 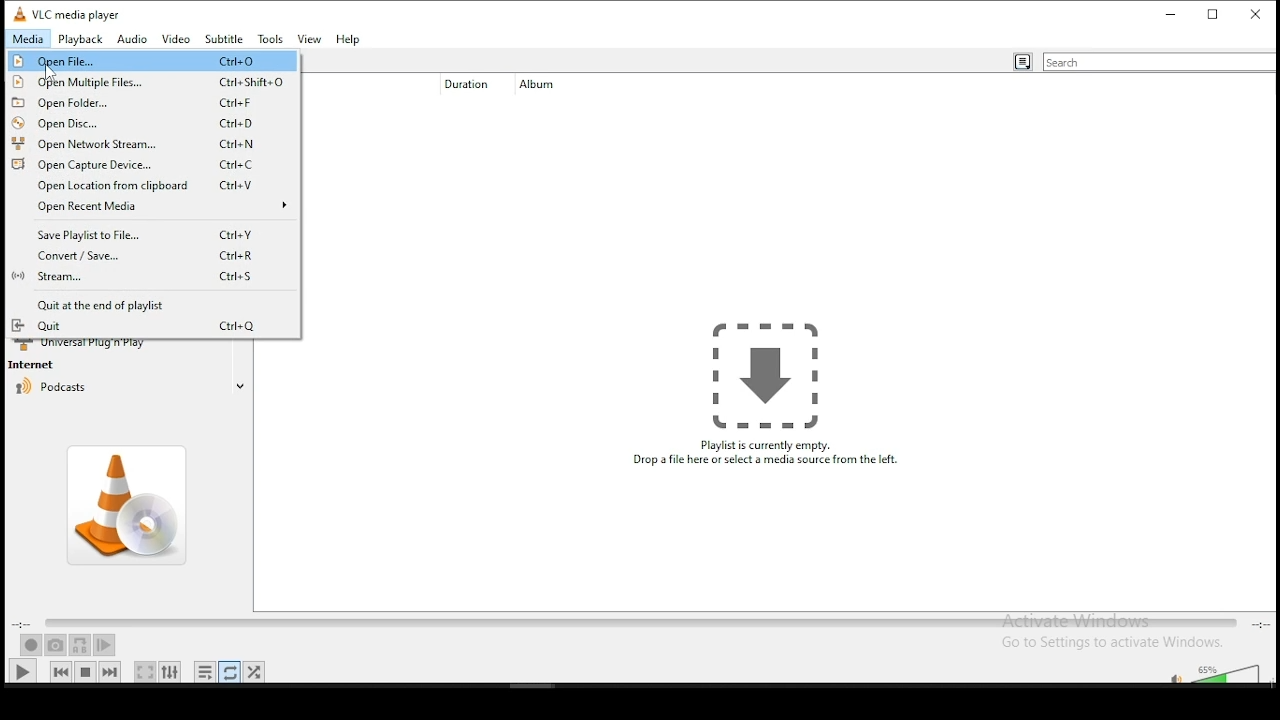 I want to click on random, so click(x=254, y=672).